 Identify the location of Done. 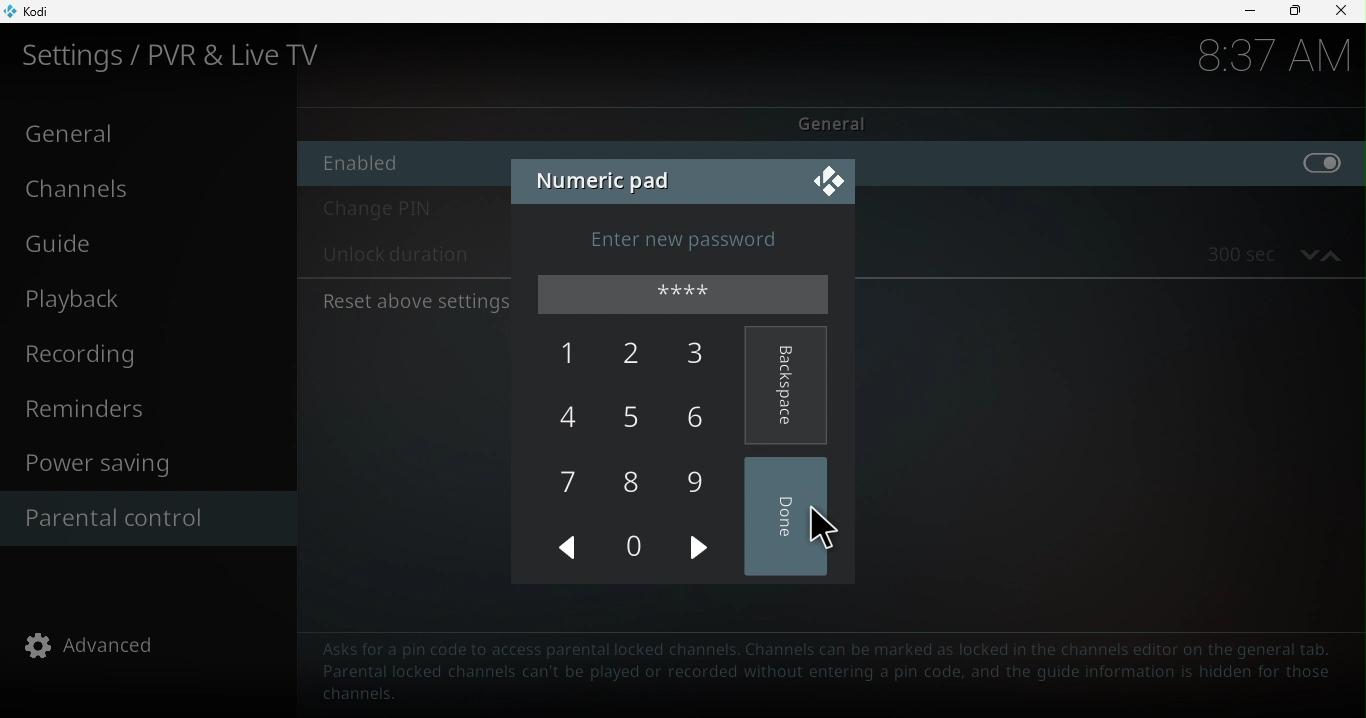
(793, 517).